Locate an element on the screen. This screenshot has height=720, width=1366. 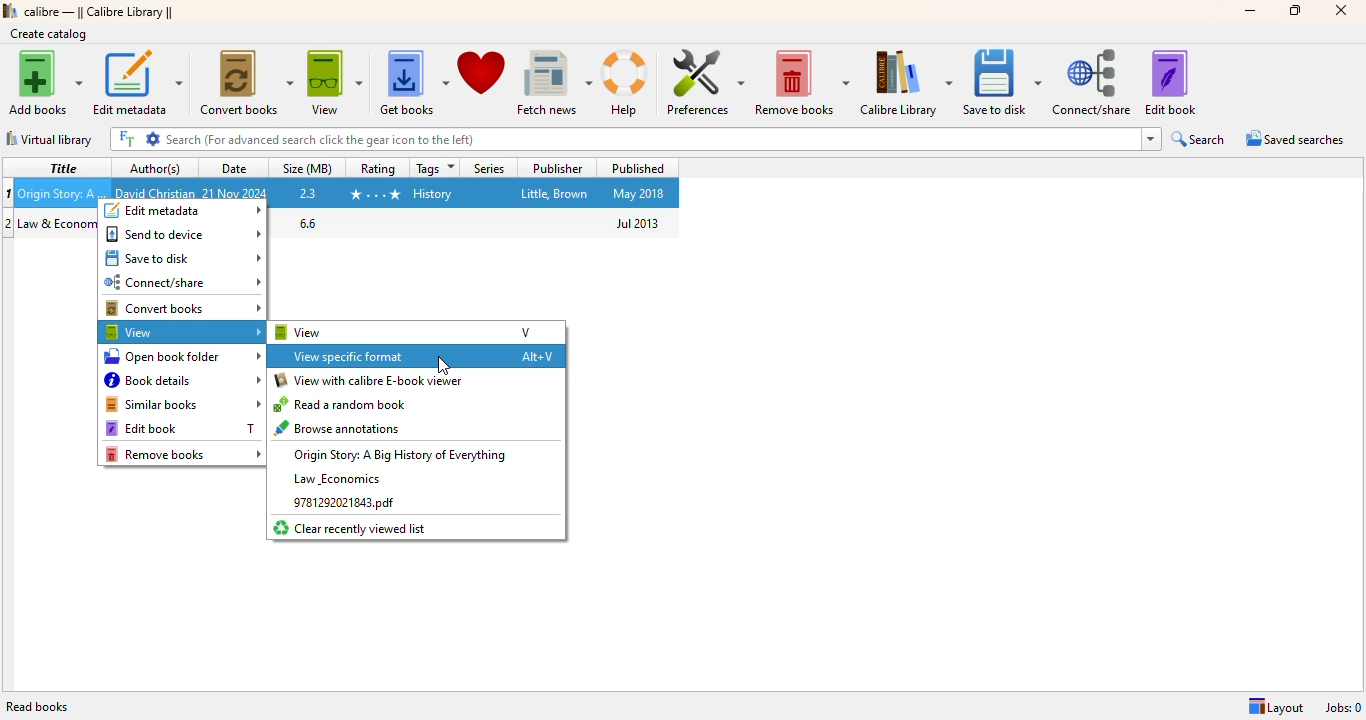
connect/share is located at coordinates (182, 282).